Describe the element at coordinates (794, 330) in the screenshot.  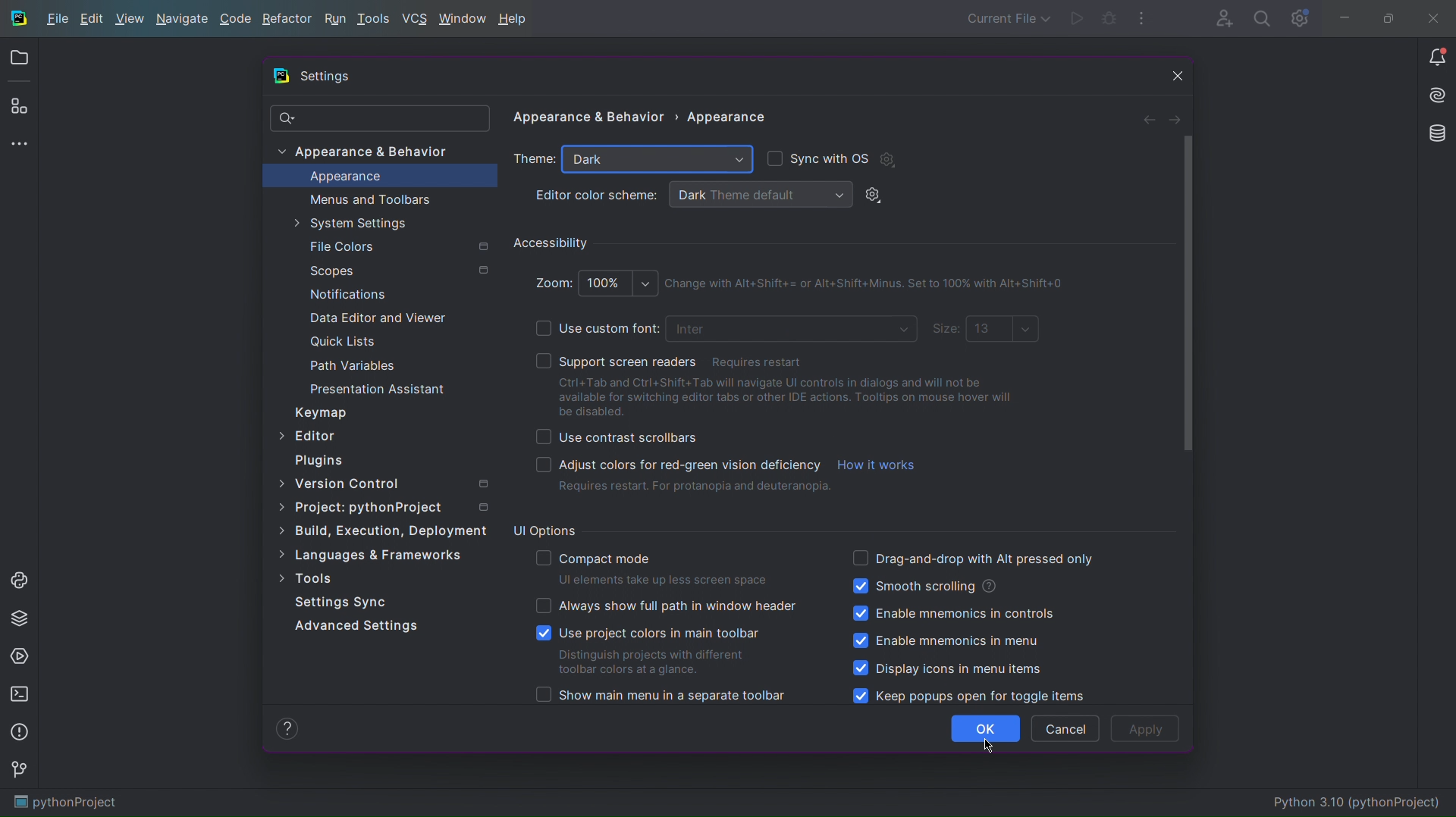
I see `inter` at that location.